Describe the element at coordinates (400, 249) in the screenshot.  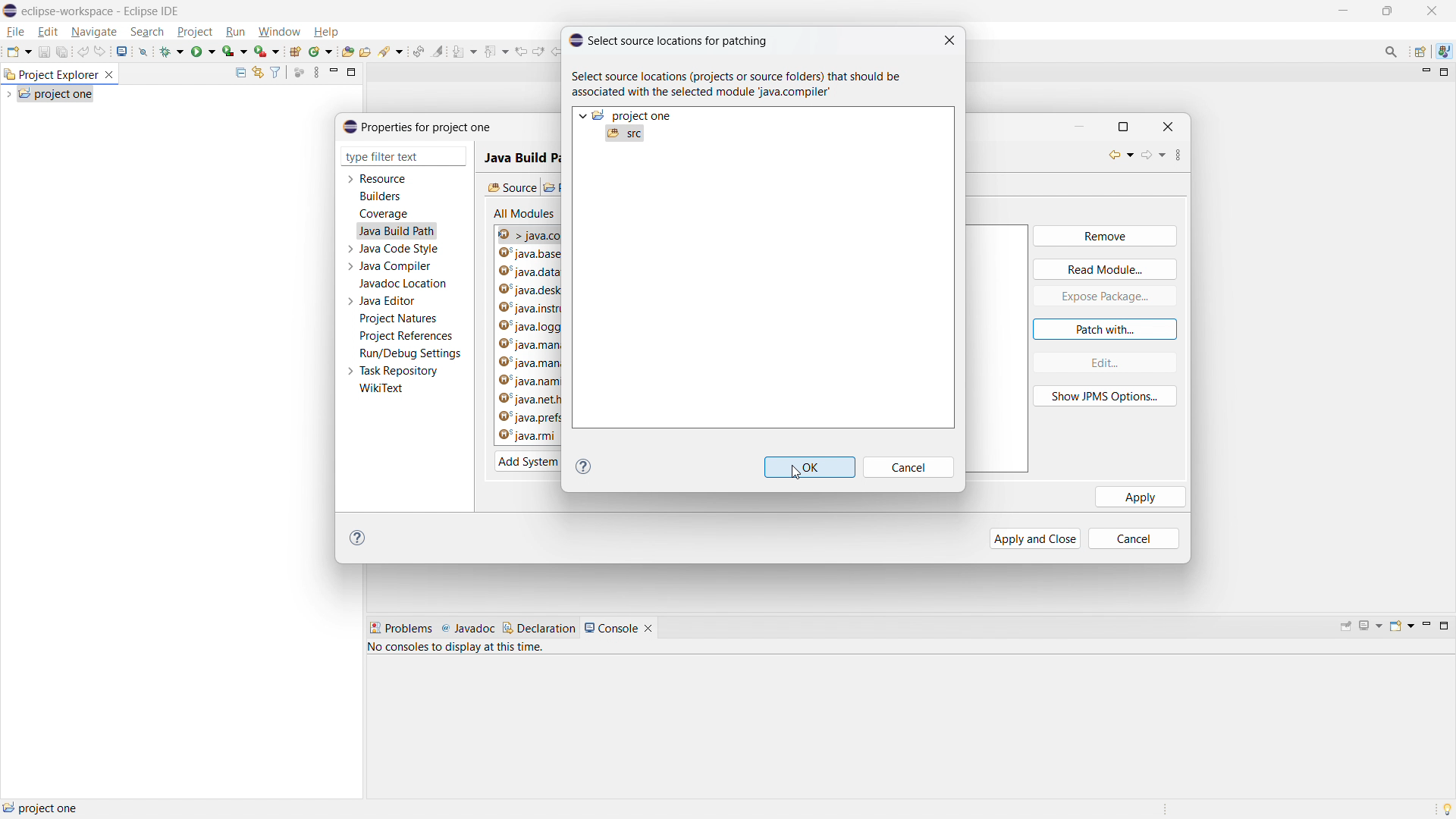
I see `java code style` at that location.